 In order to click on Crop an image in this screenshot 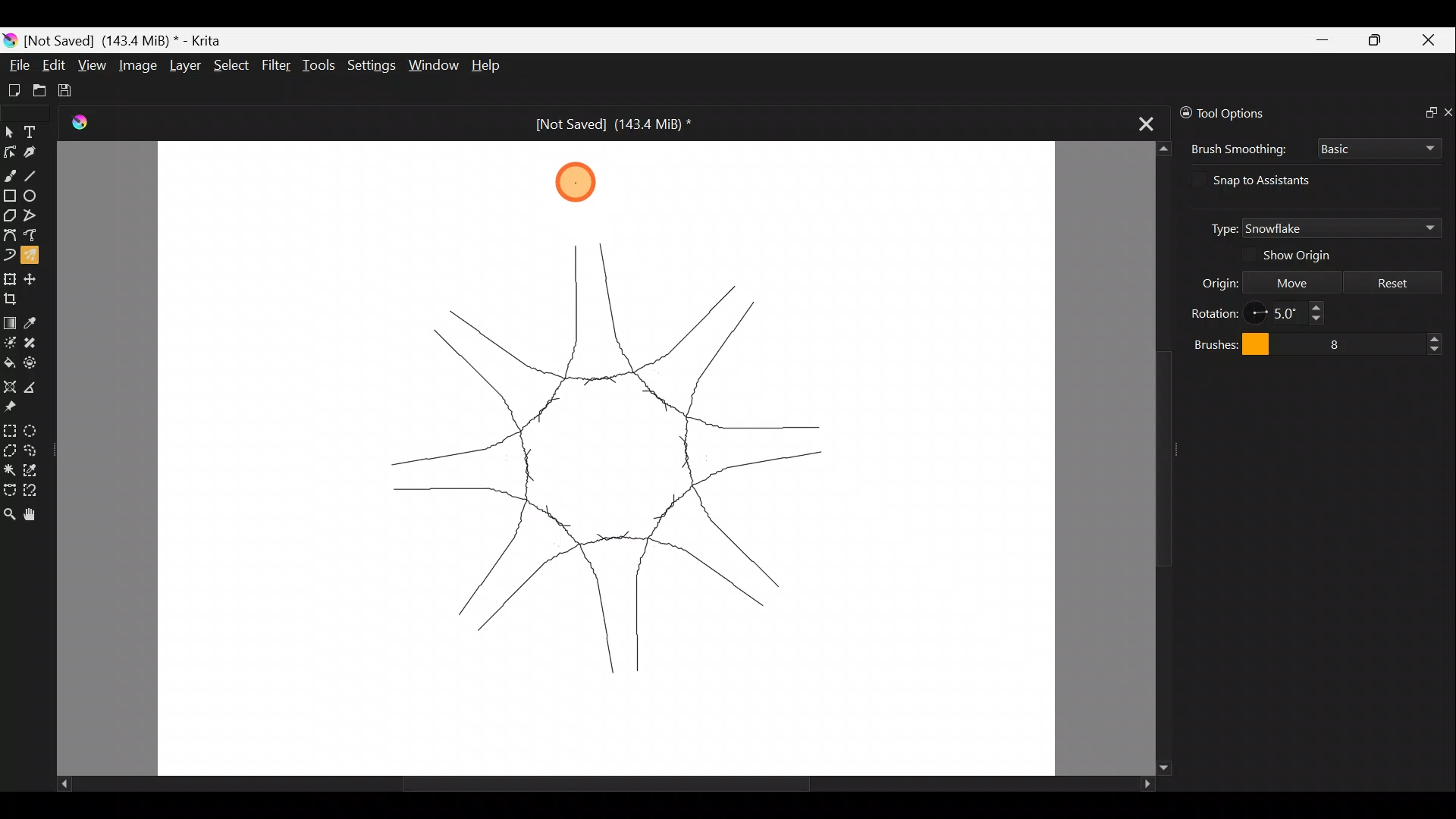, I will do `click(15, 297)`.